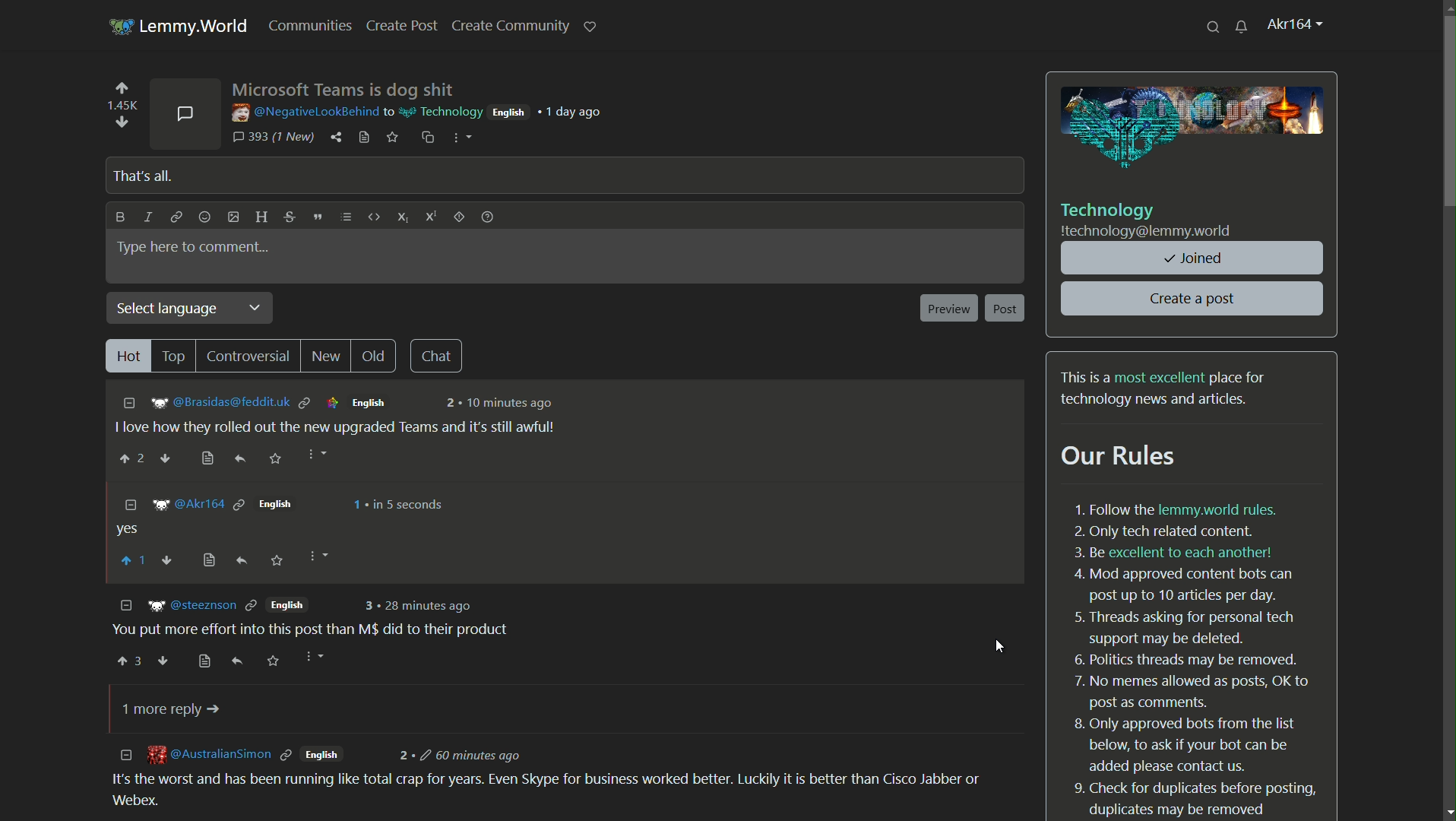 This screenshot has height=821, width=1456. I want to click on bold, so click(118, 217).